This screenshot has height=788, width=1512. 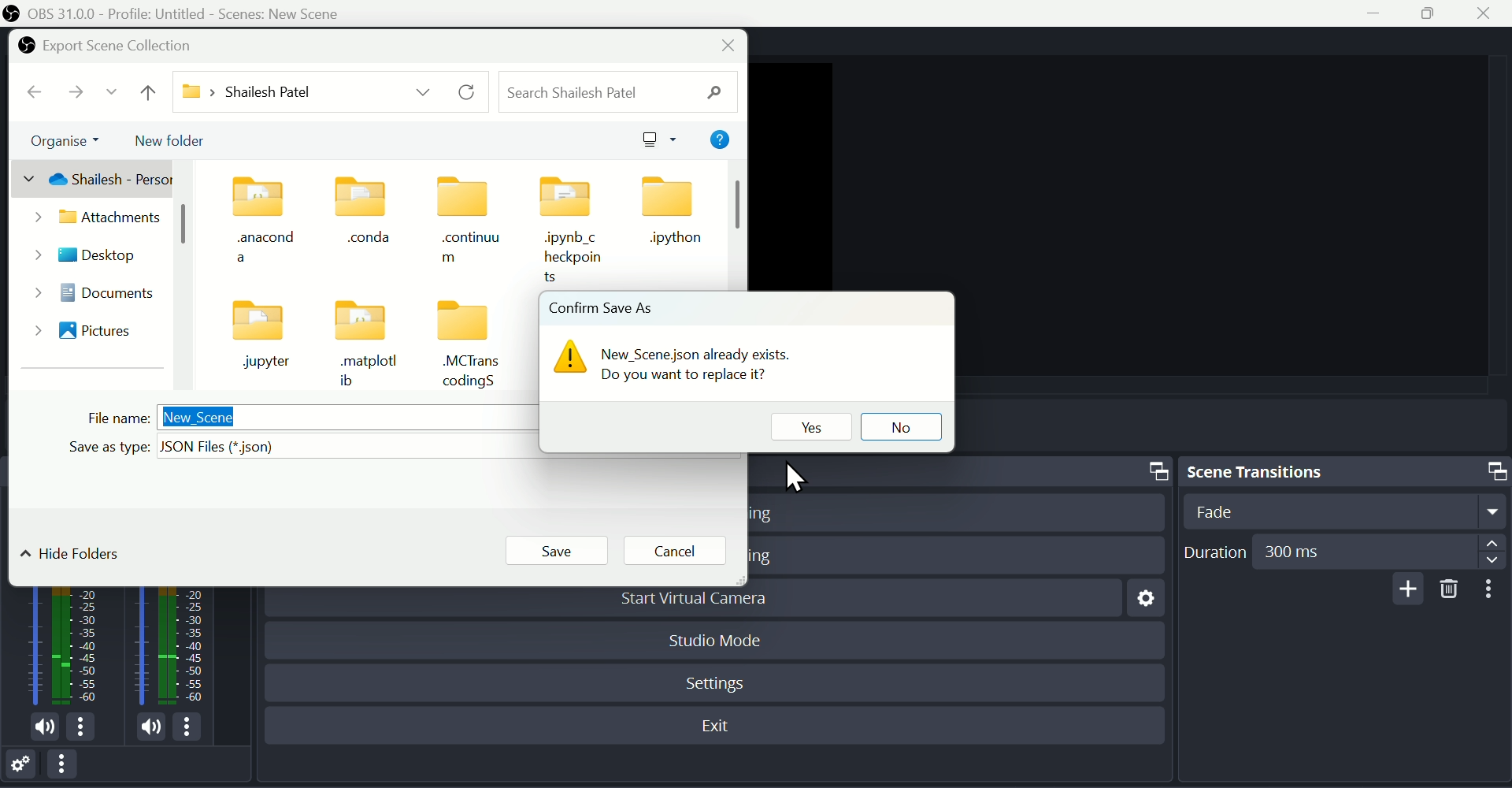 What do you see at coordinates (1343, 551) in the screenshot?
I see `Durations` at bounding box center [1343, 551].